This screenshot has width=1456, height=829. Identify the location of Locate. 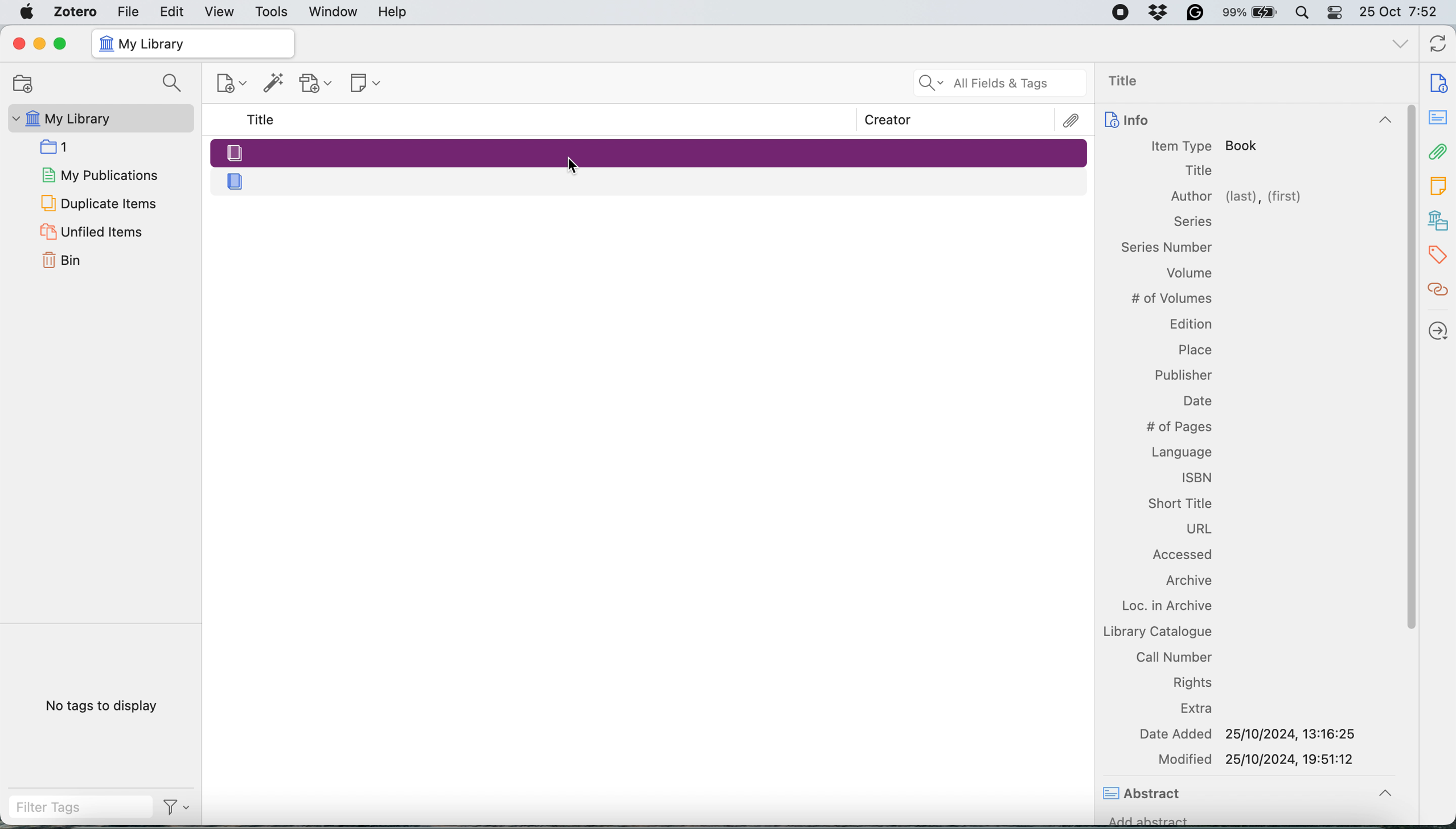
(1439, 331).